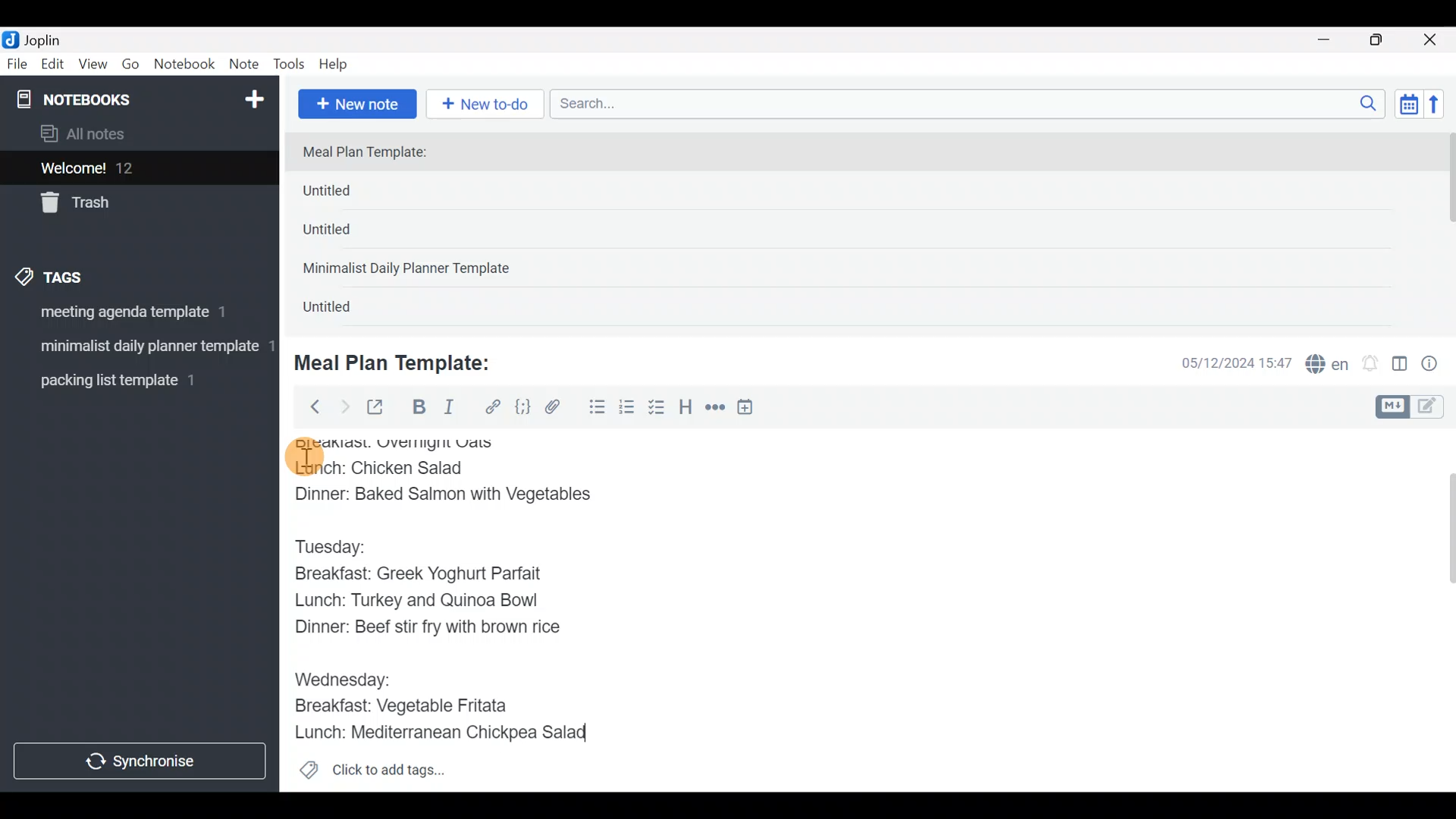  I want to click on Welcome!, so click(137, 169).